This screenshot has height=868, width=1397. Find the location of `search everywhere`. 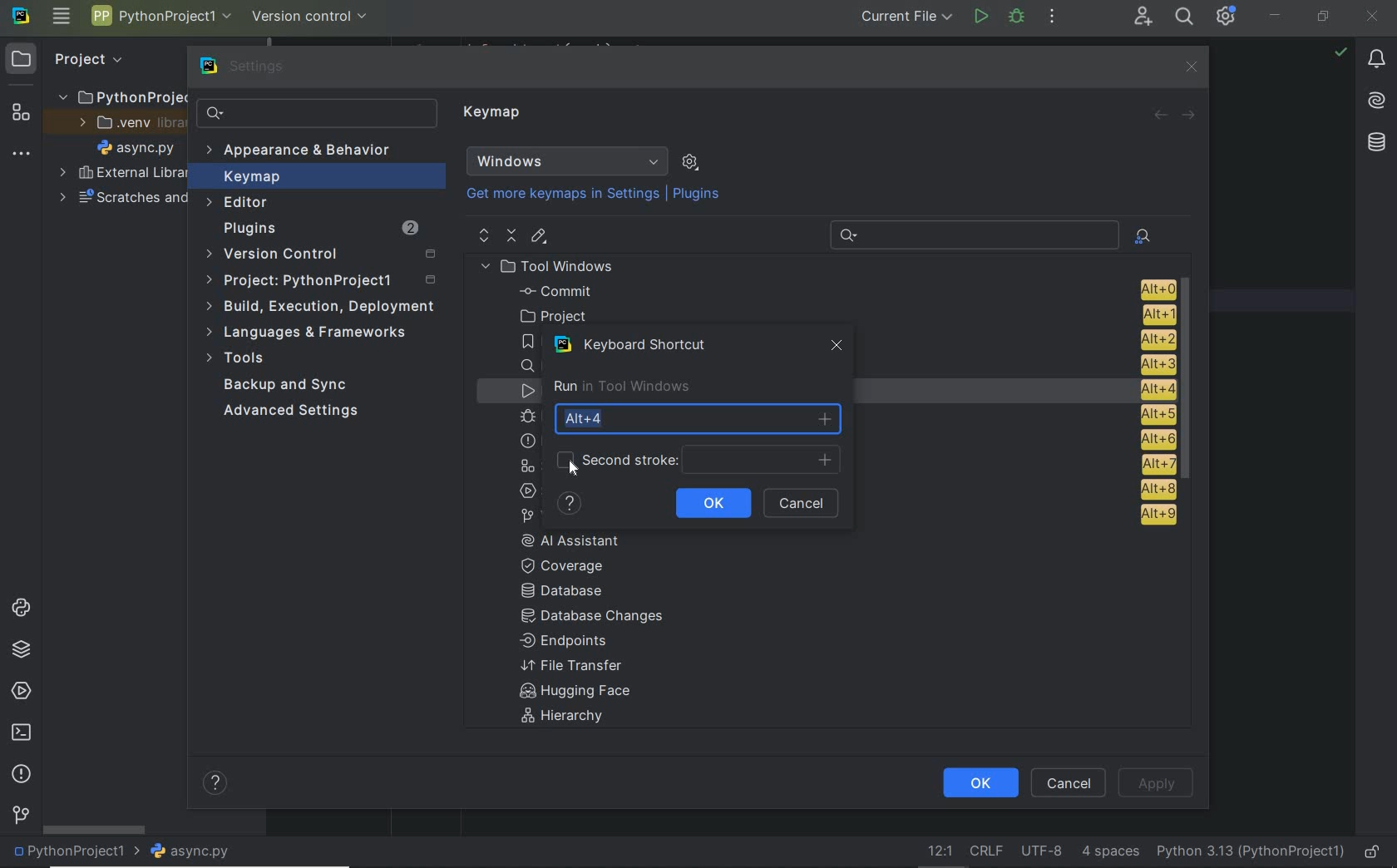

search everywhere is located at coordinates (1185, 17).